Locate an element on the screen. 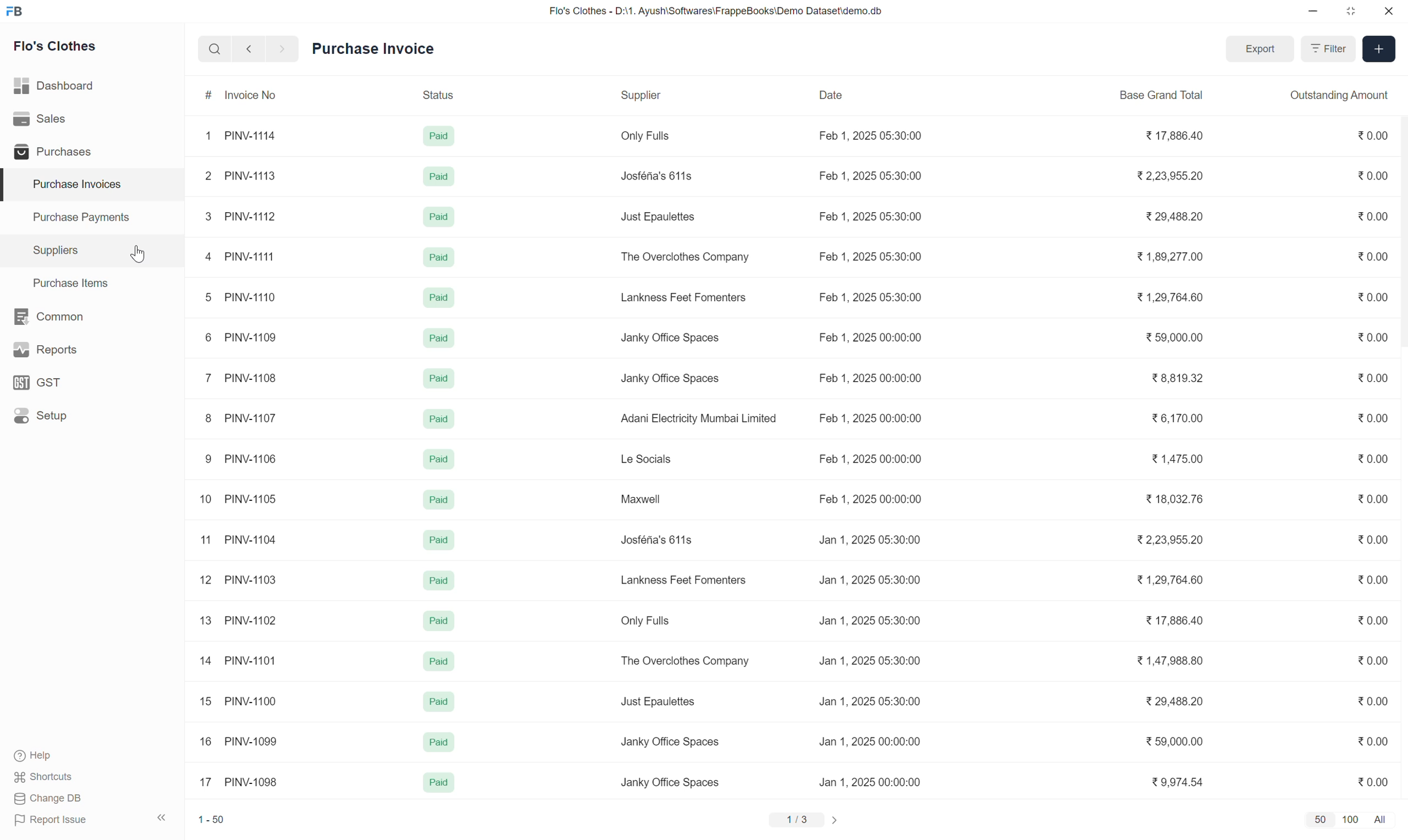  1/3 > is located at coordinates (804, 820).